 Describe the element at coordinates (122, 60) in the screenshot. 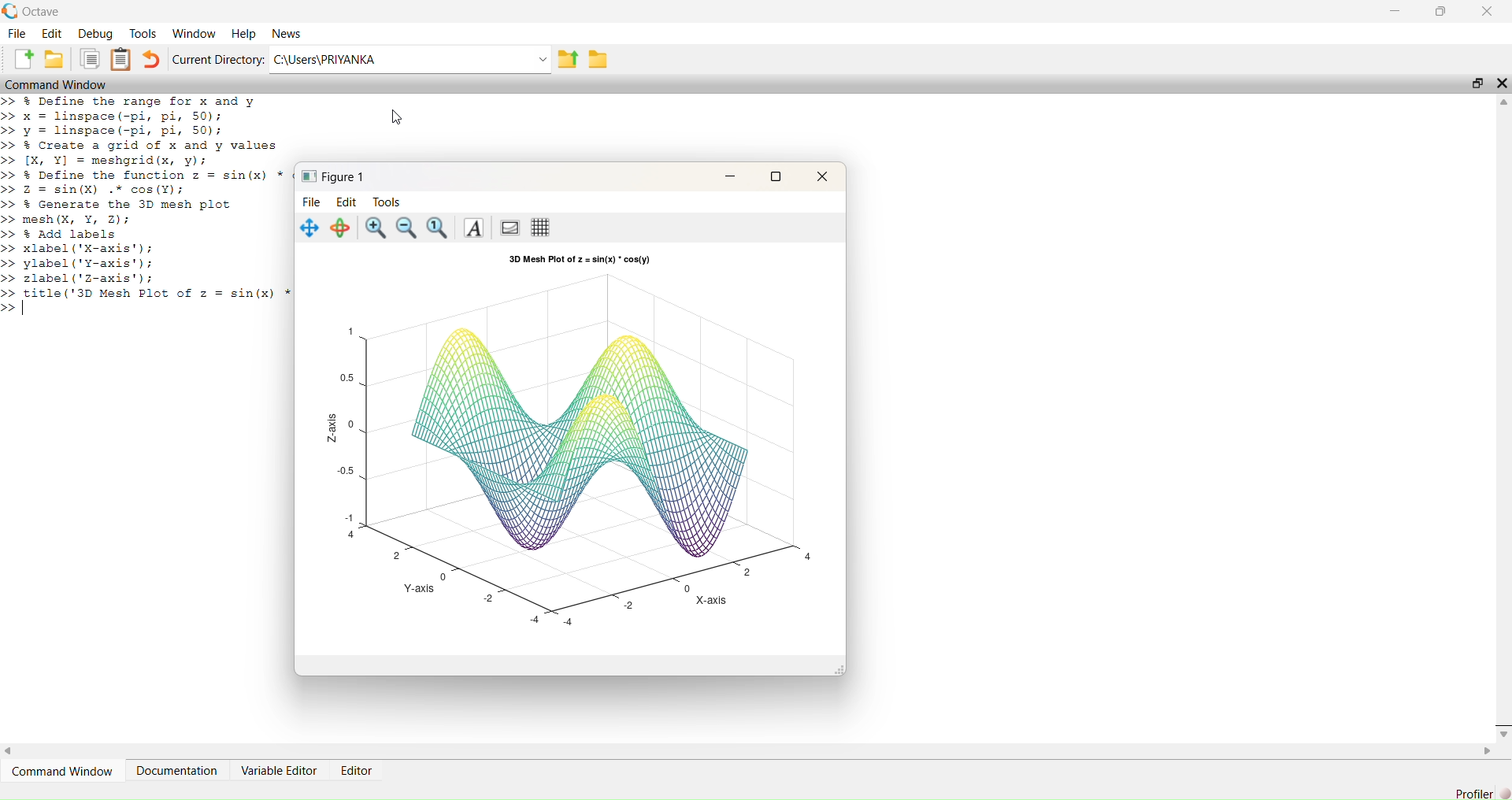

I see `Paste` at that location.